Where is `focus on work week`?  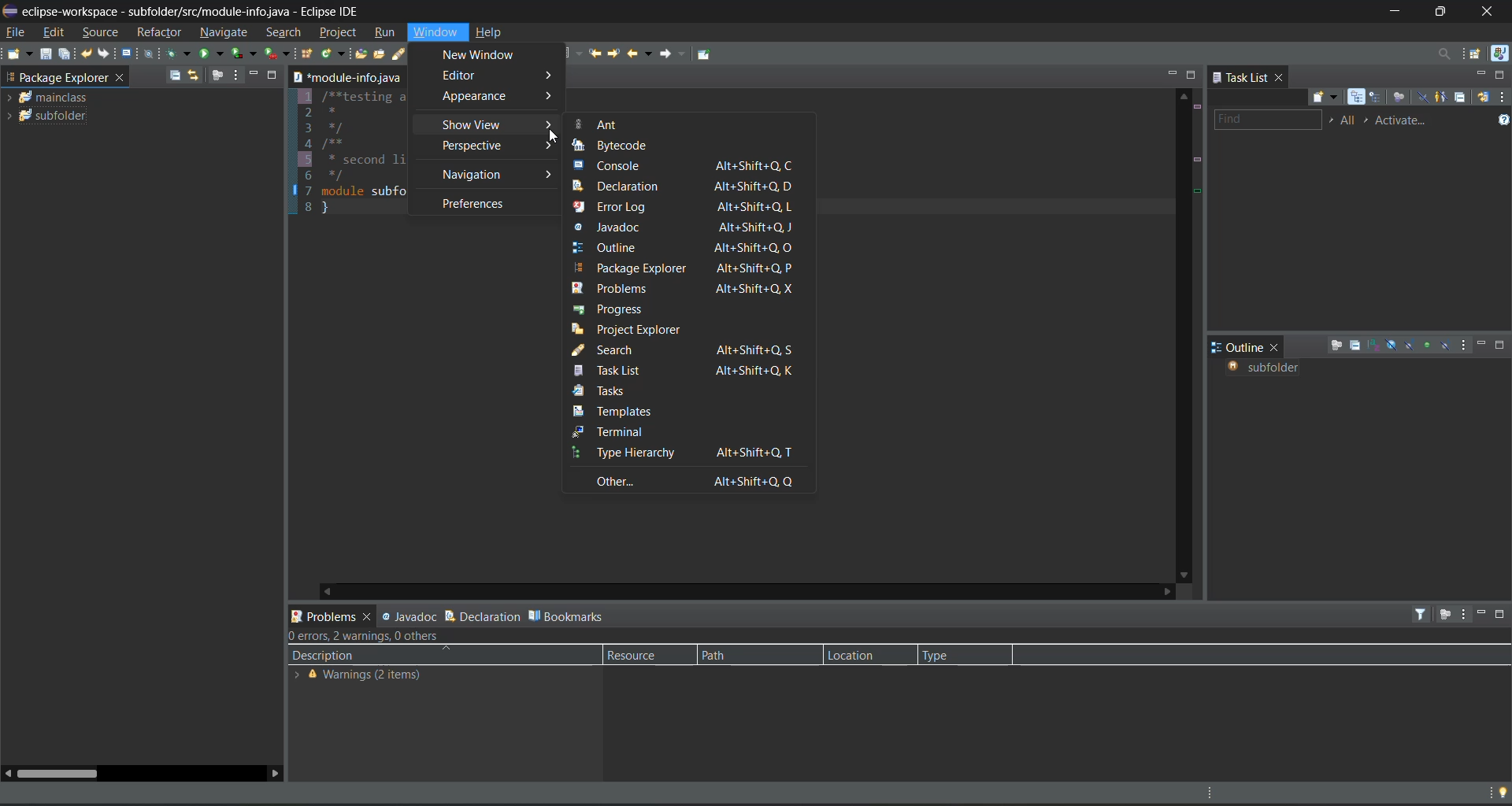
focus on work week is located at coordinates (1401, 98).